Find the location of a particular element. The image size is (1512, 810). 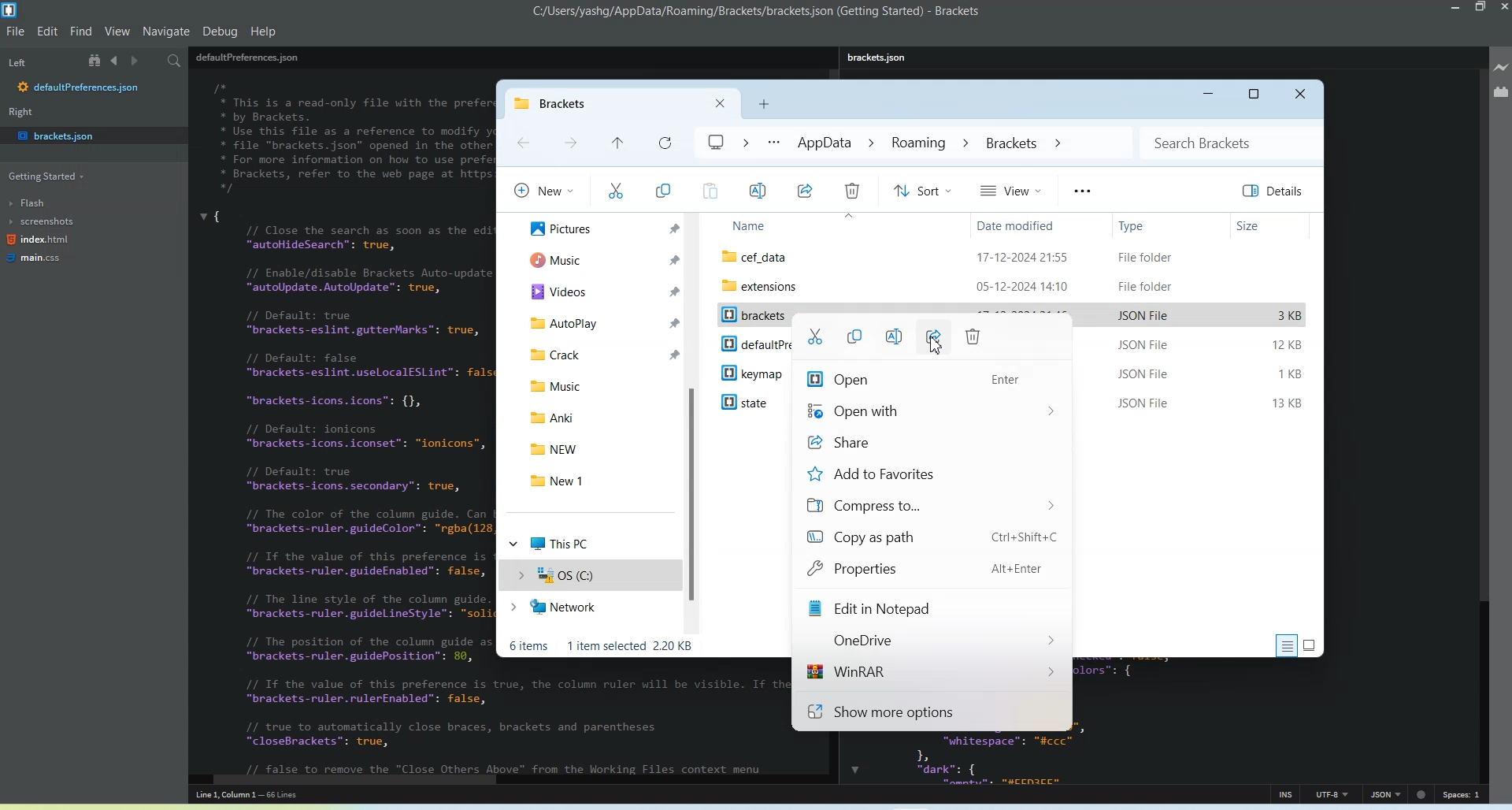

Delete is located at coordinates (974, 336).